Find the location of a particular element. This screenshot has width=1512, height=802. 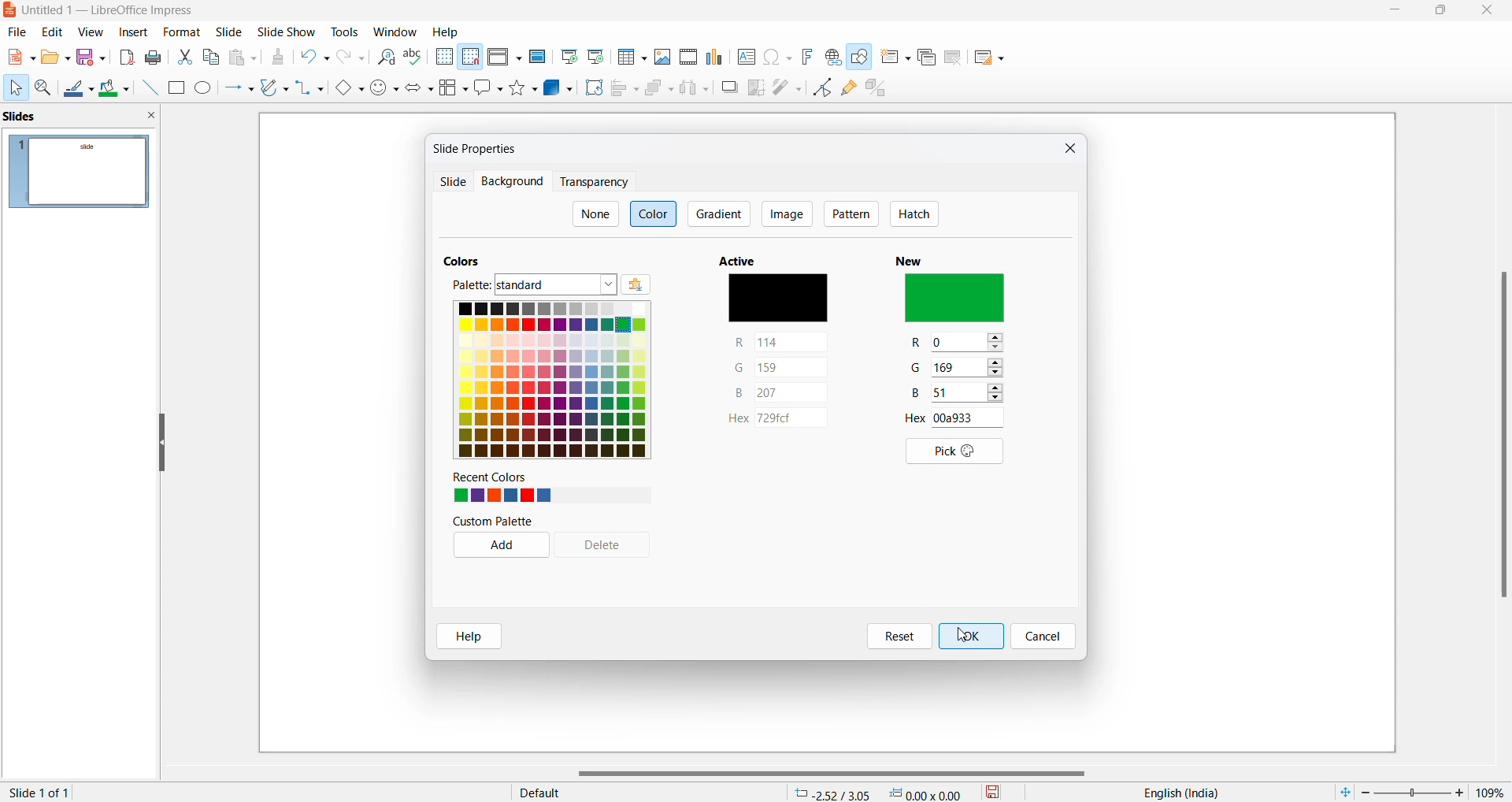

snap to grid is located at coordinates (470, 58).